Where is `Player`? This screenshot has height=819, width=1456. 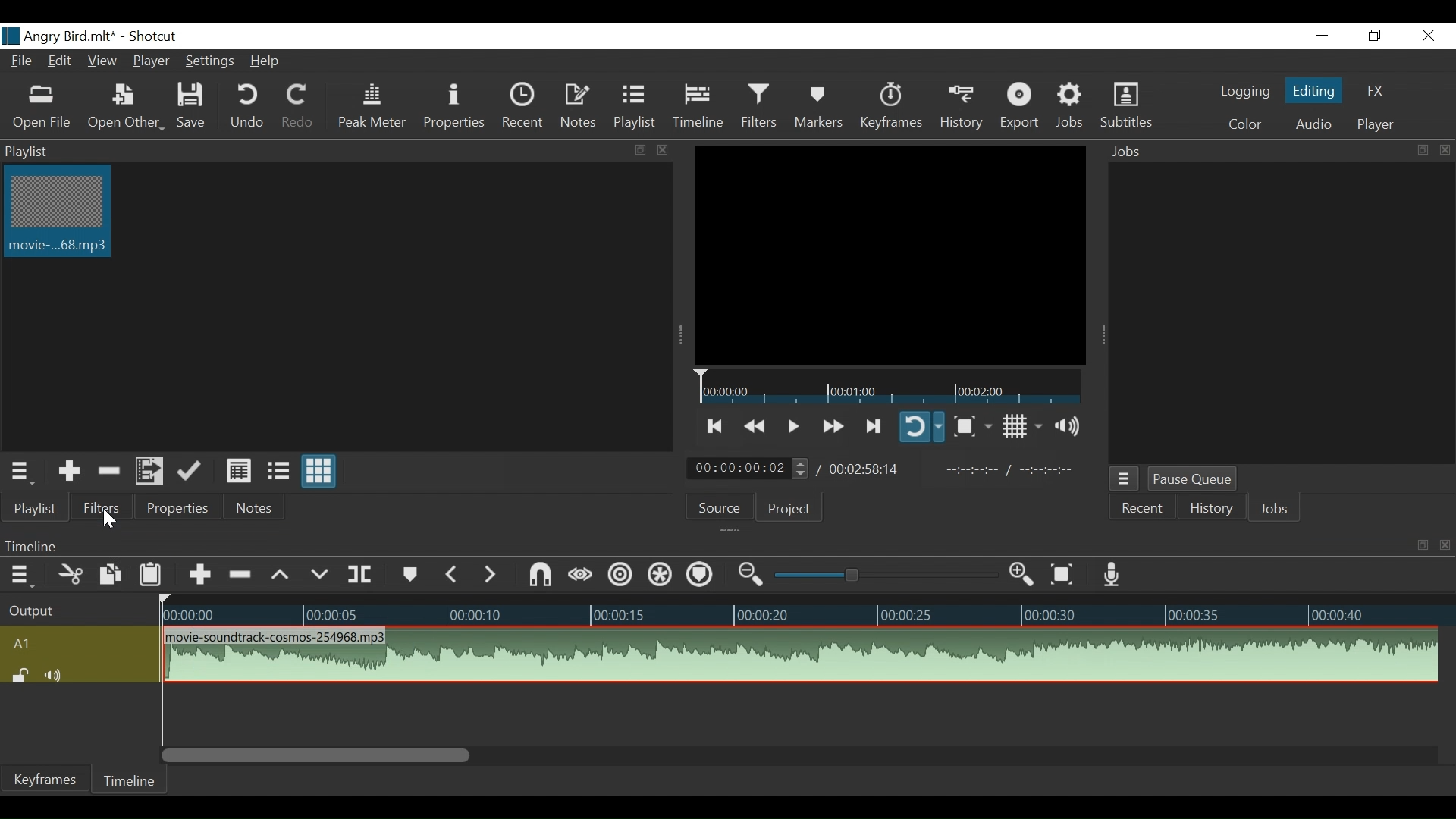 Player is located at coordinates (149, 63).